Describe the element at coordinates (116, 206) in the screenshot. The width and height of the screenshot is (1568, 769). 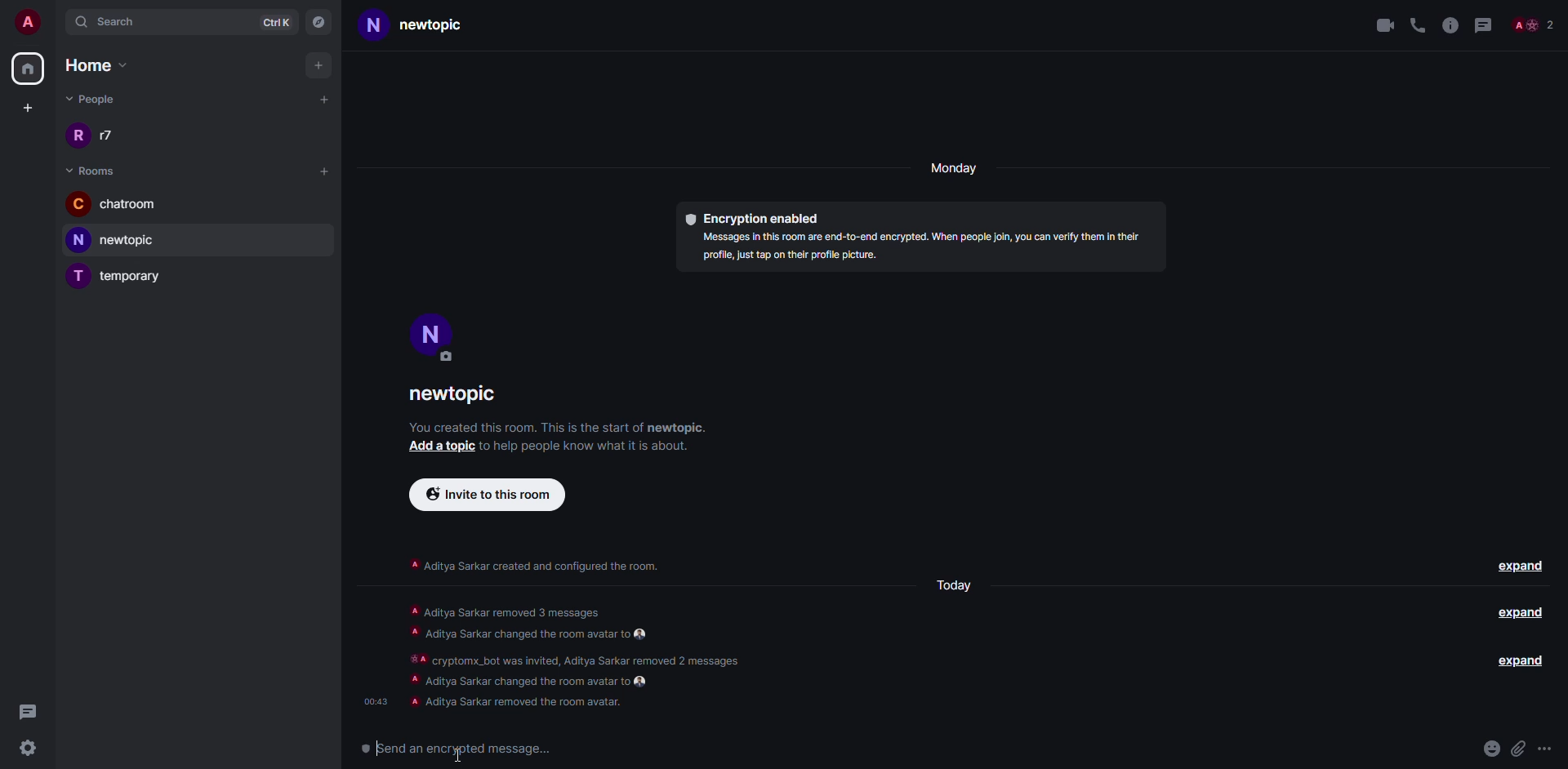
I see `chatroom` at that location.